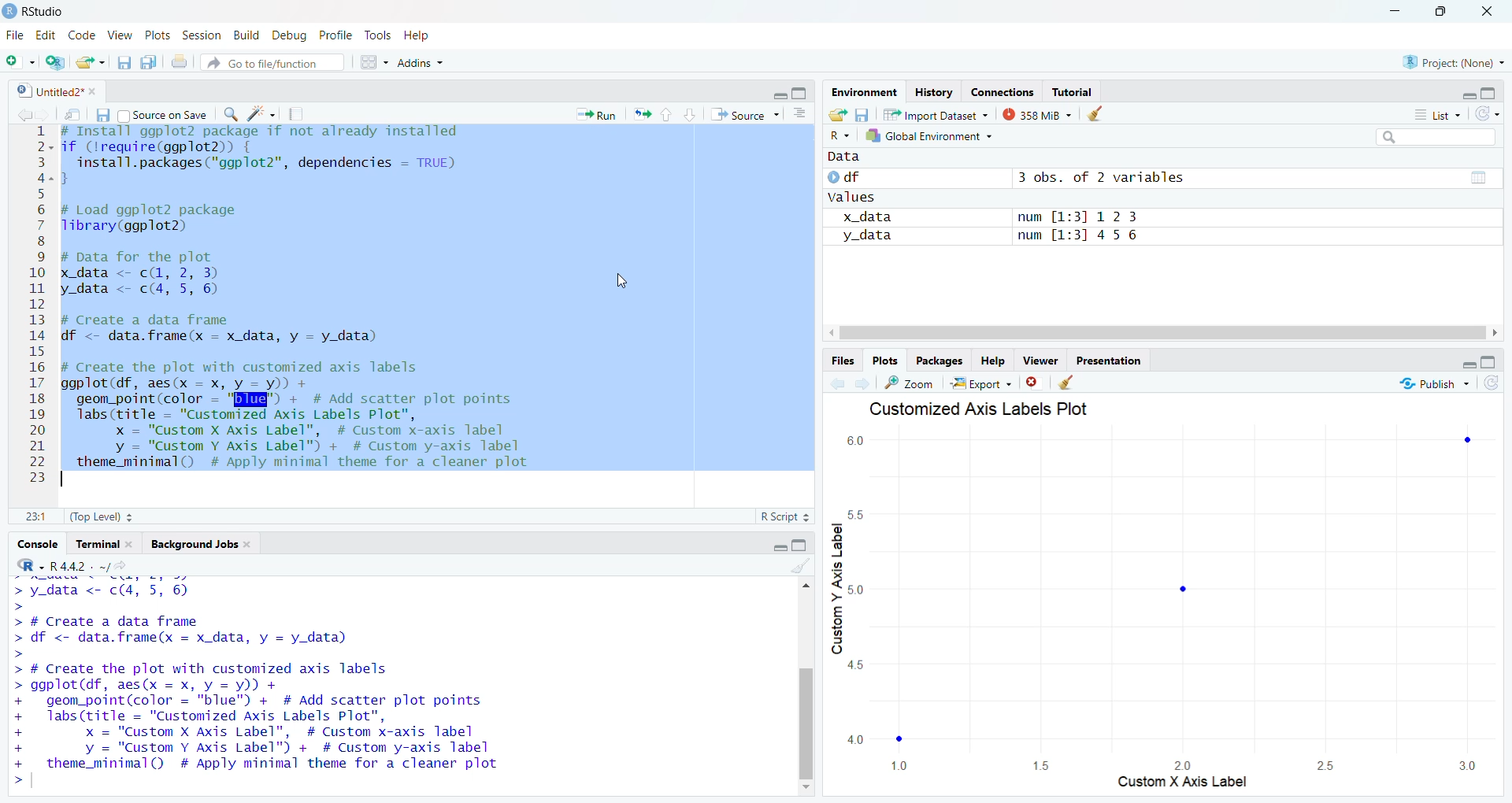  Describe the element at coordinates (937, 361) in the screenshot. I see `Packages` at that location.